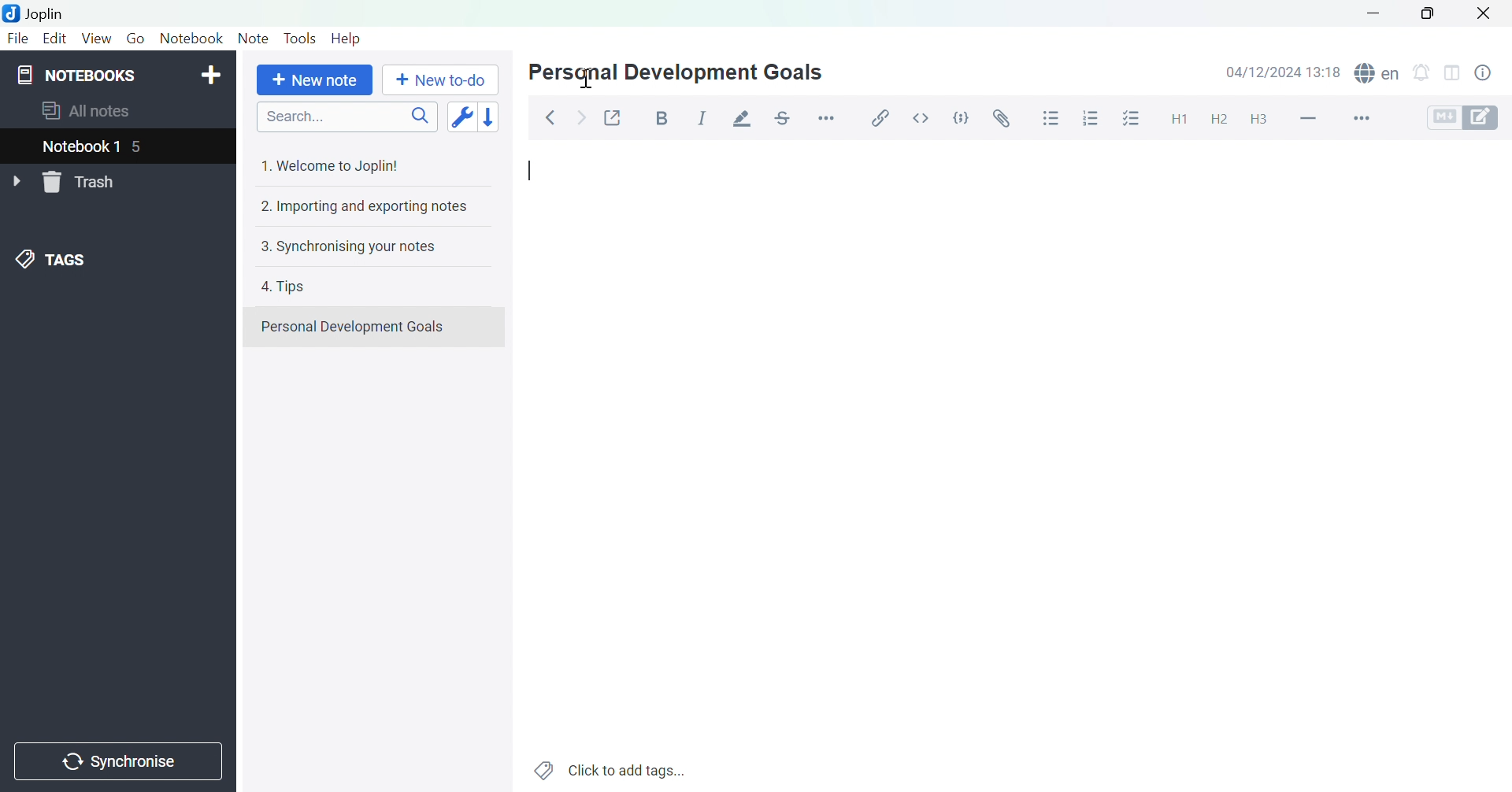 Image resolution: width=1512 pixels, height=792 pixels. Describe the element at coordinates (1089, 119) in the screenshot. I see `Numbered list` at that location.